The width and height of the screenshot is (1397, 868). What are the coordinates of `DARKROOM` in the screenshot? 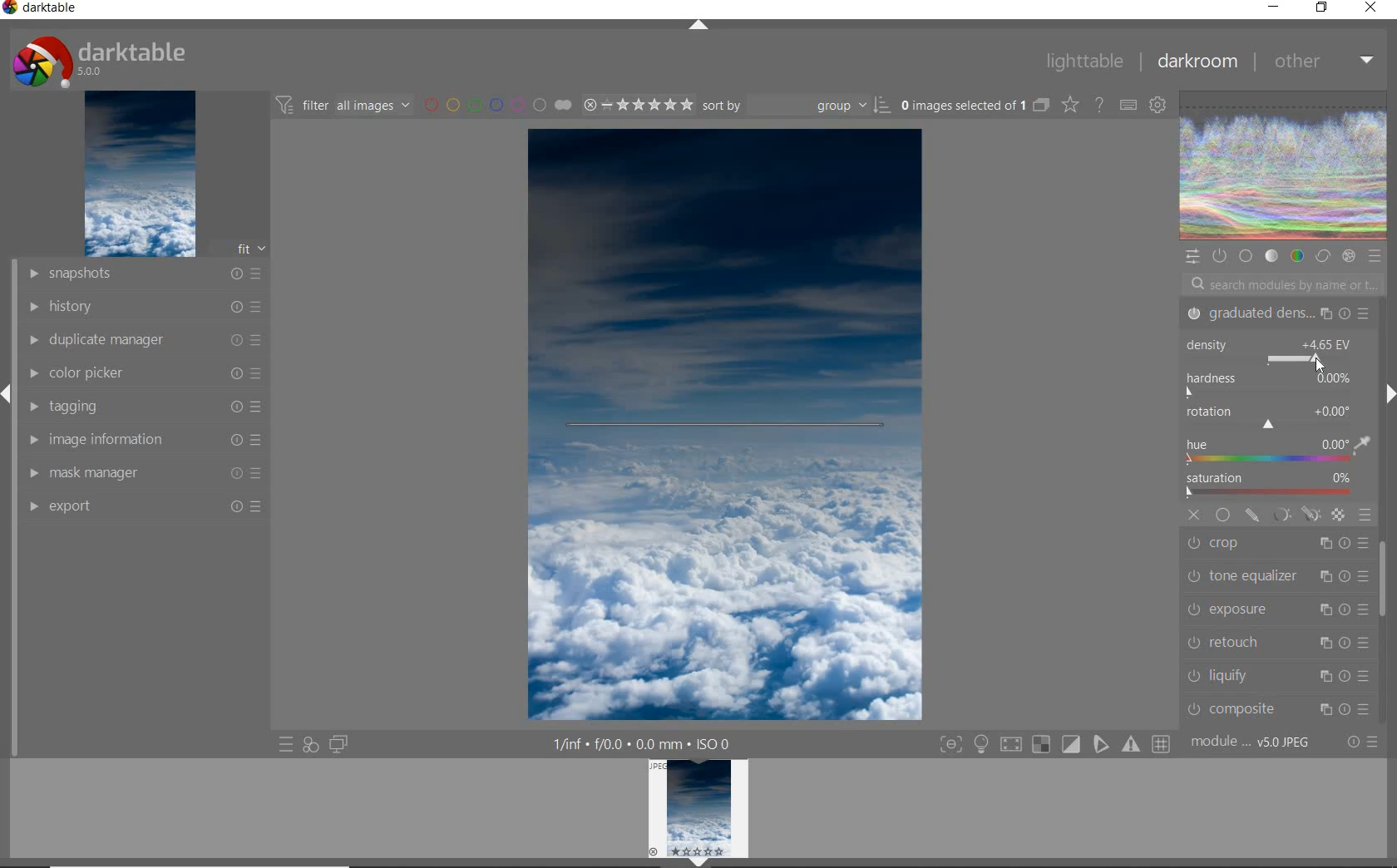 It's located at (1196, 62).